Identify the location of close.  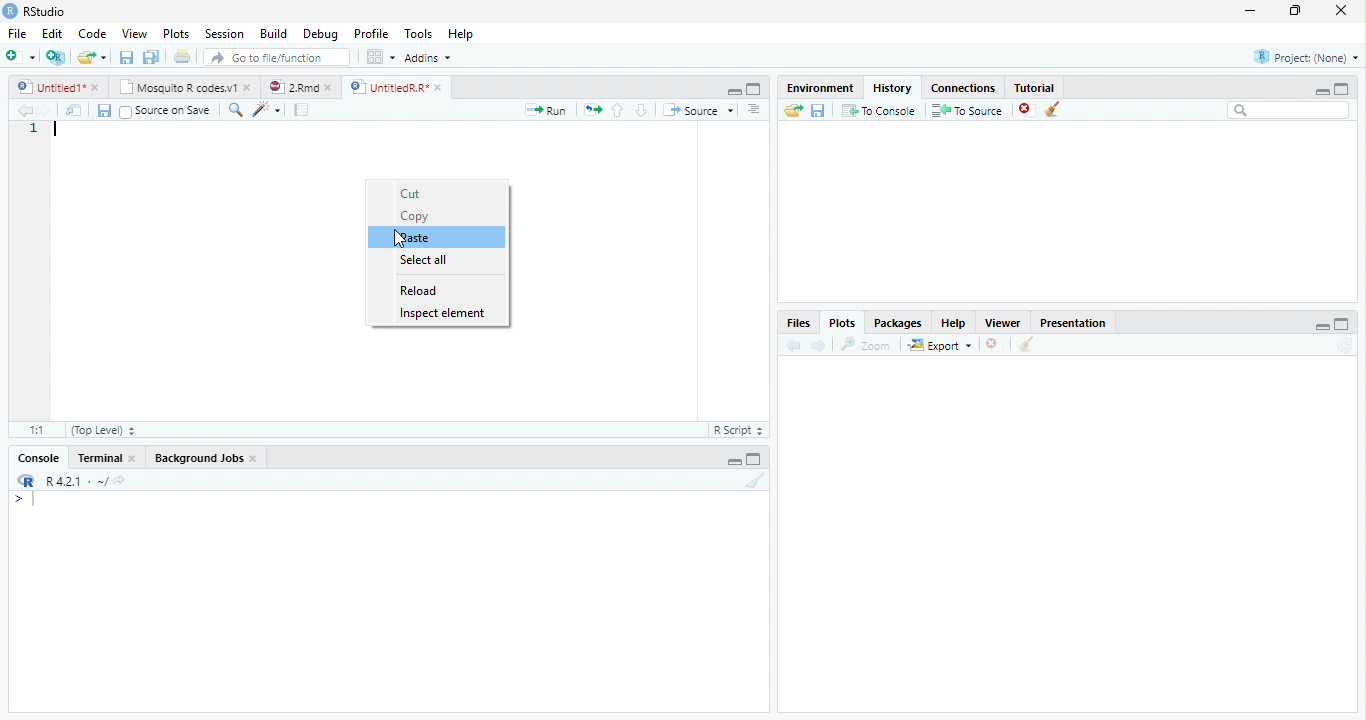
(136, 458).